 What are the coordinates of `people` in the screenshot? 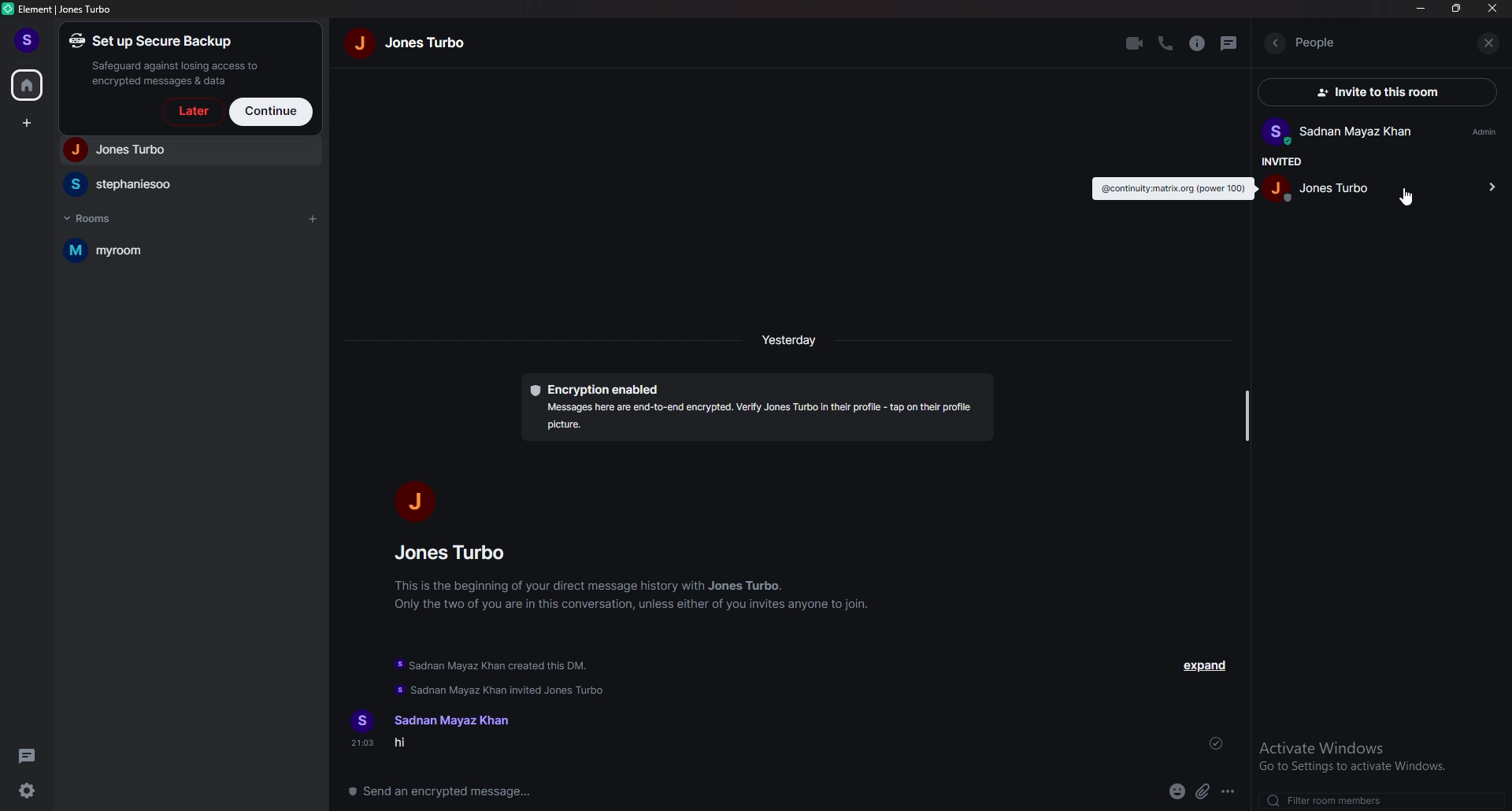 It's located at (187, 150).